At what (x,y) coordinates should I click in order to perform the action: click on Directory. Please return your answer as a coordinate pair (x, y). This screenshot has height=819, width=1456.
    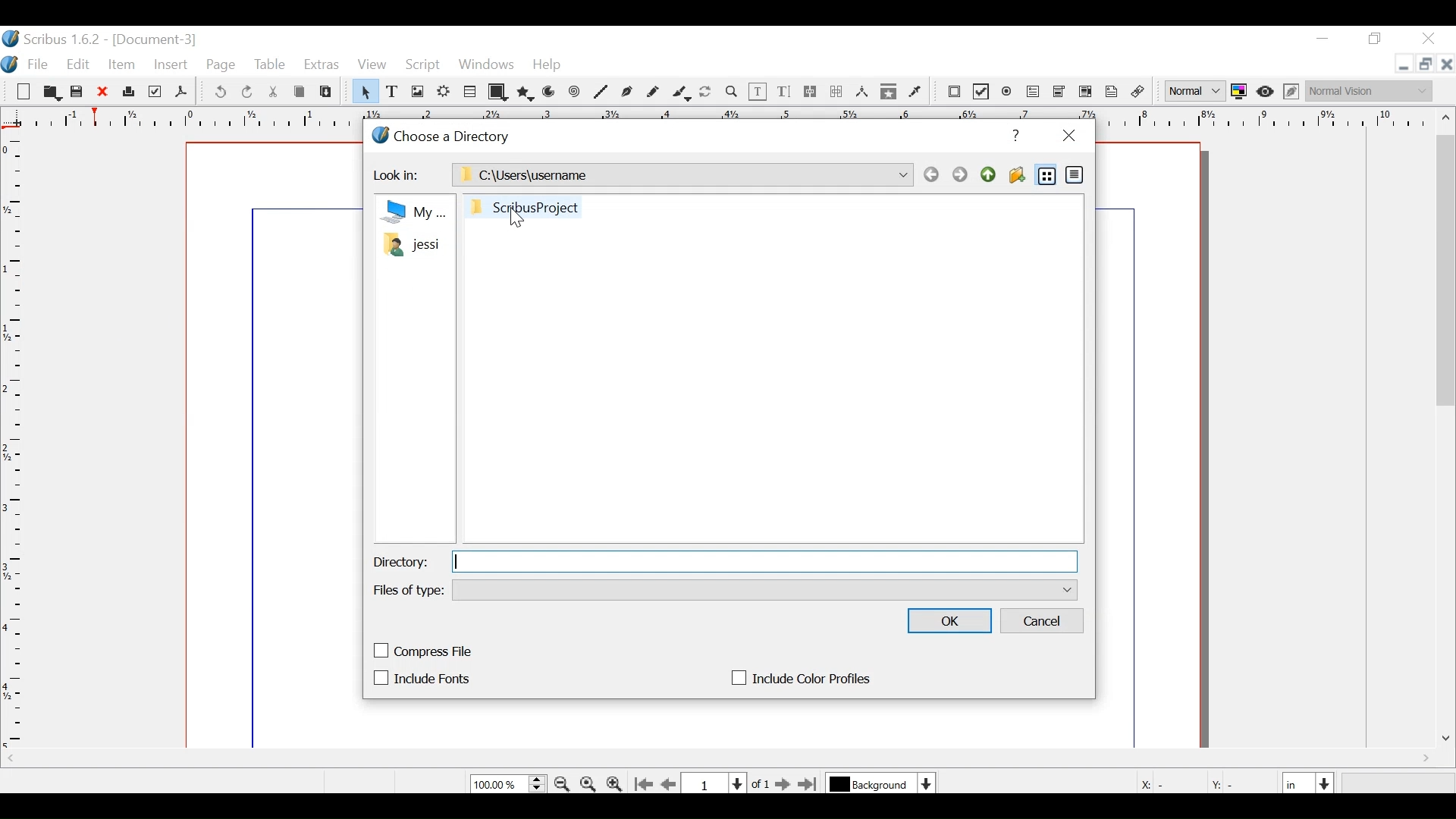
    Looking at the image, I should click on (400, 563).